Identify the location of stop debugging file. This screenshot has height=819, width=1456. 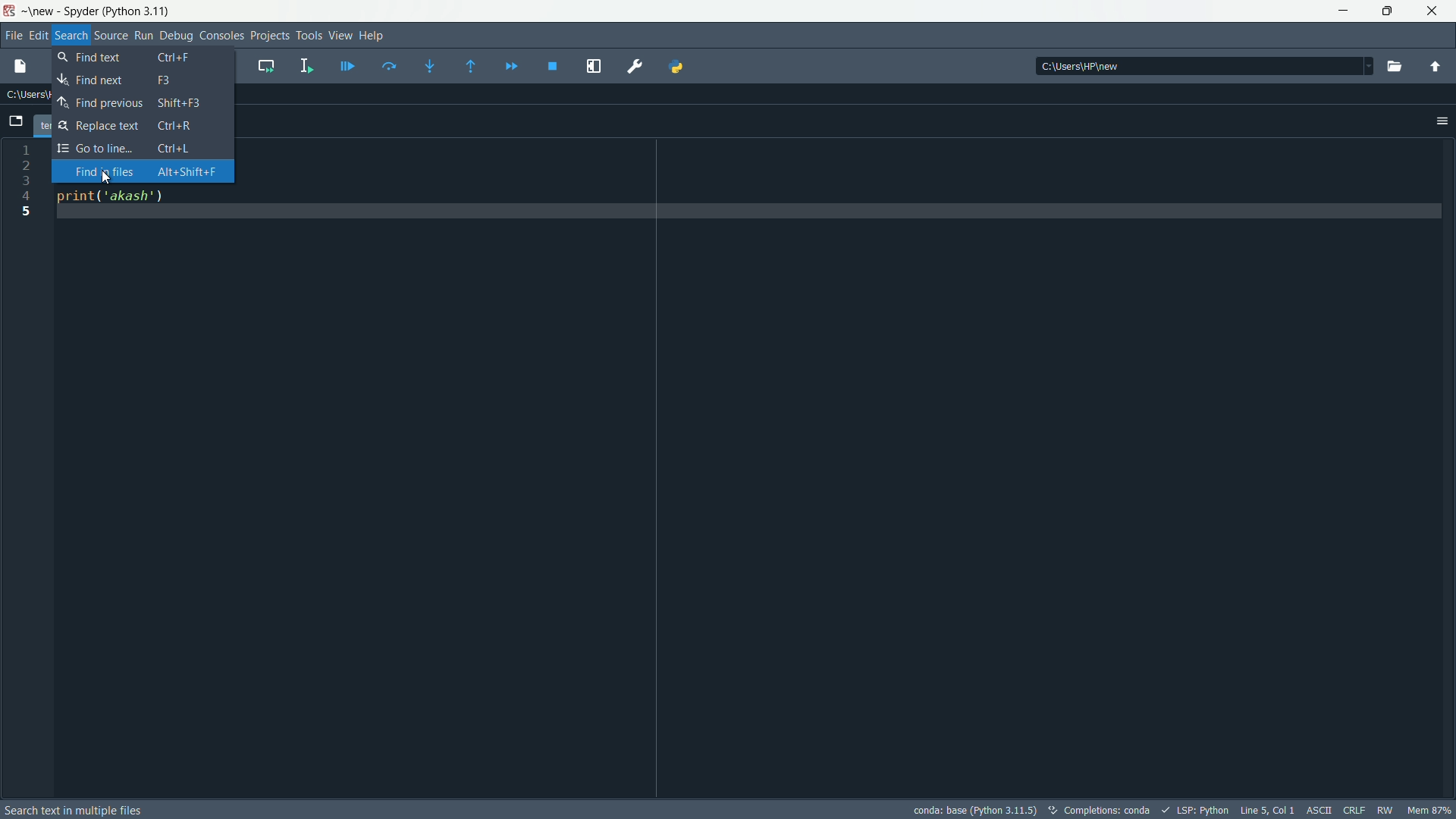
(553, 68).